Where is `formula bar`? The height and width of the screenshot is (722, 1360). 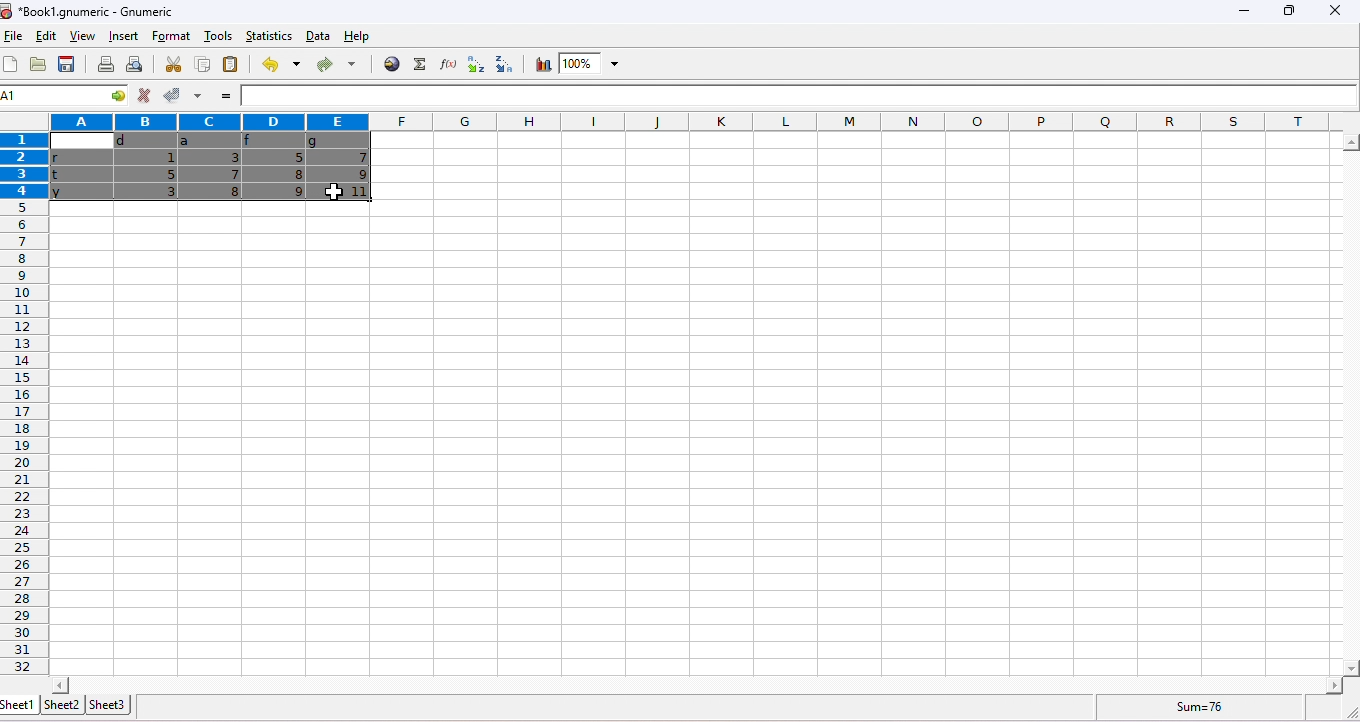 formula bar is located at coordinates (800, 96).